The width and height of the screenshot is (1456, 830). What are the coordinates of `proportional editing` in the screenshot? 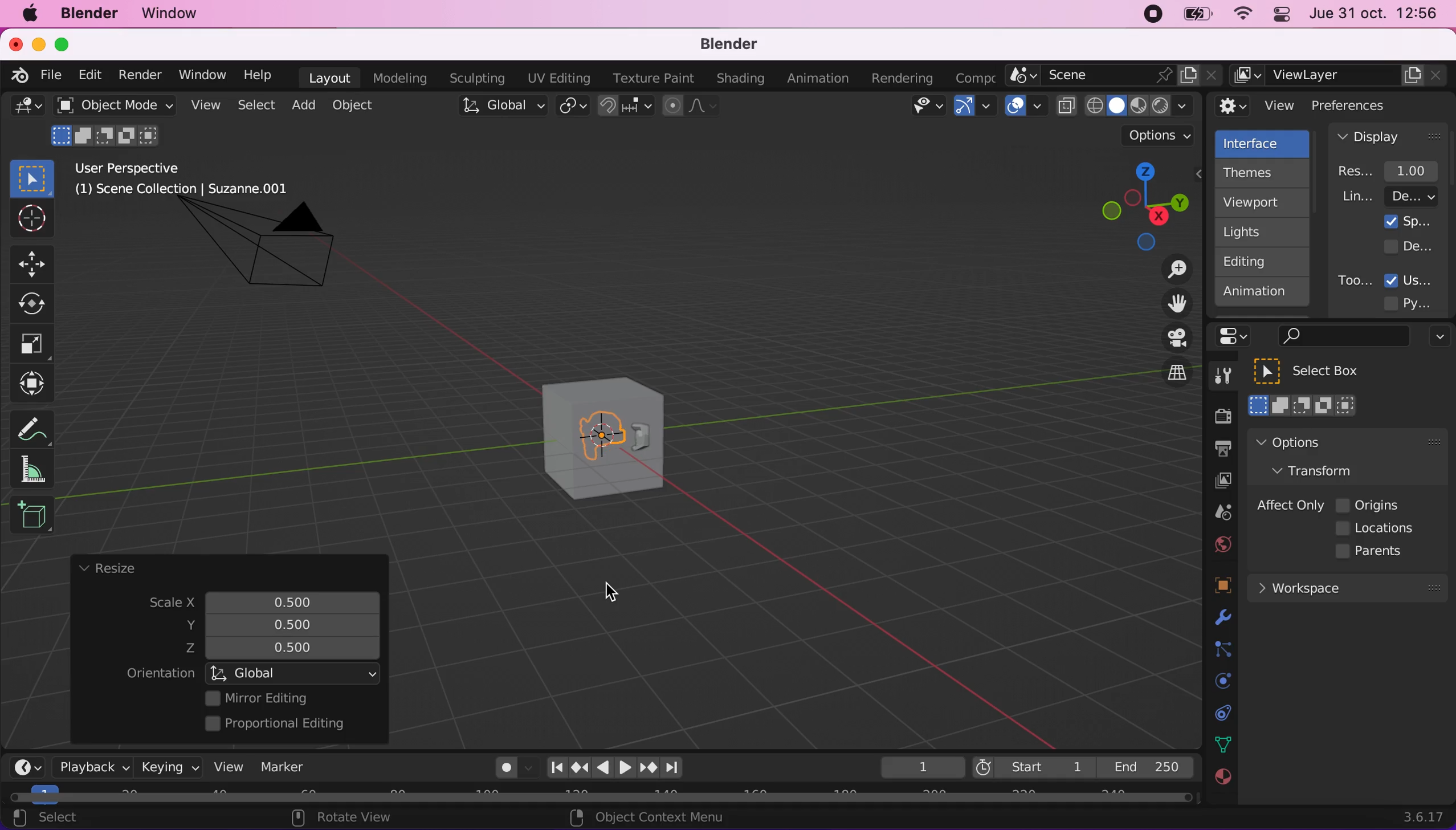 It's located at (283, 725).